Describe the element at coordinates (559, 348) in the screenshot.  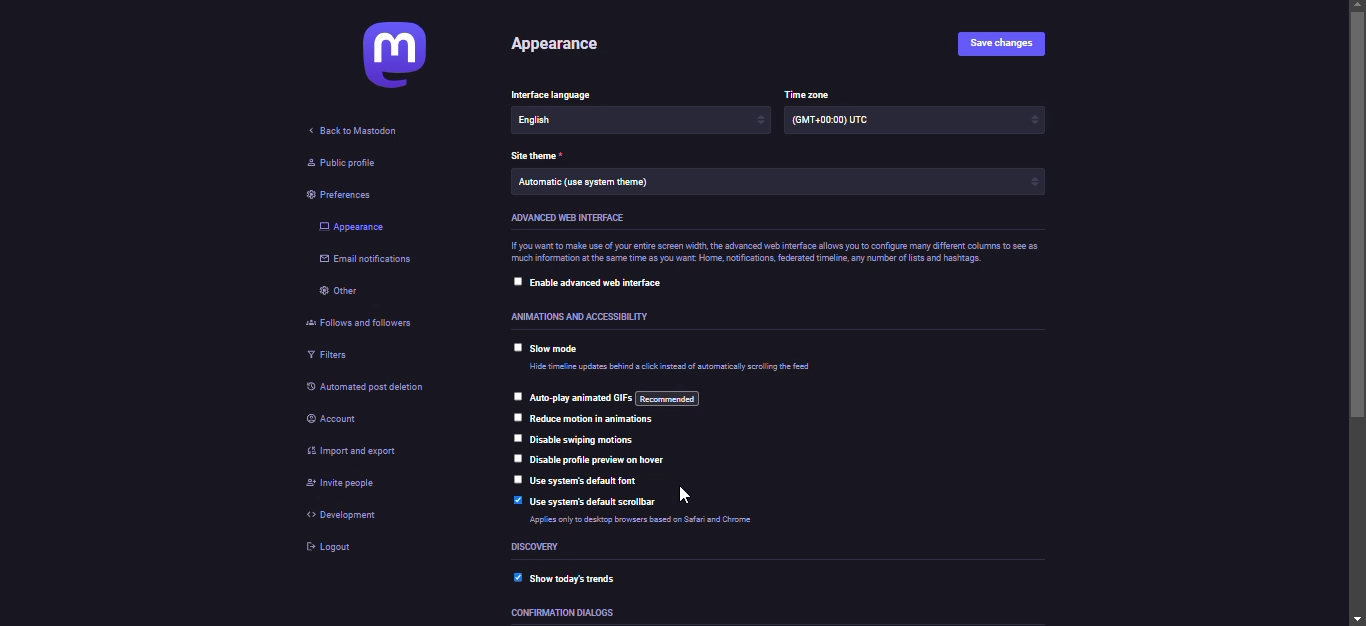
I see `slow mode` at that location.